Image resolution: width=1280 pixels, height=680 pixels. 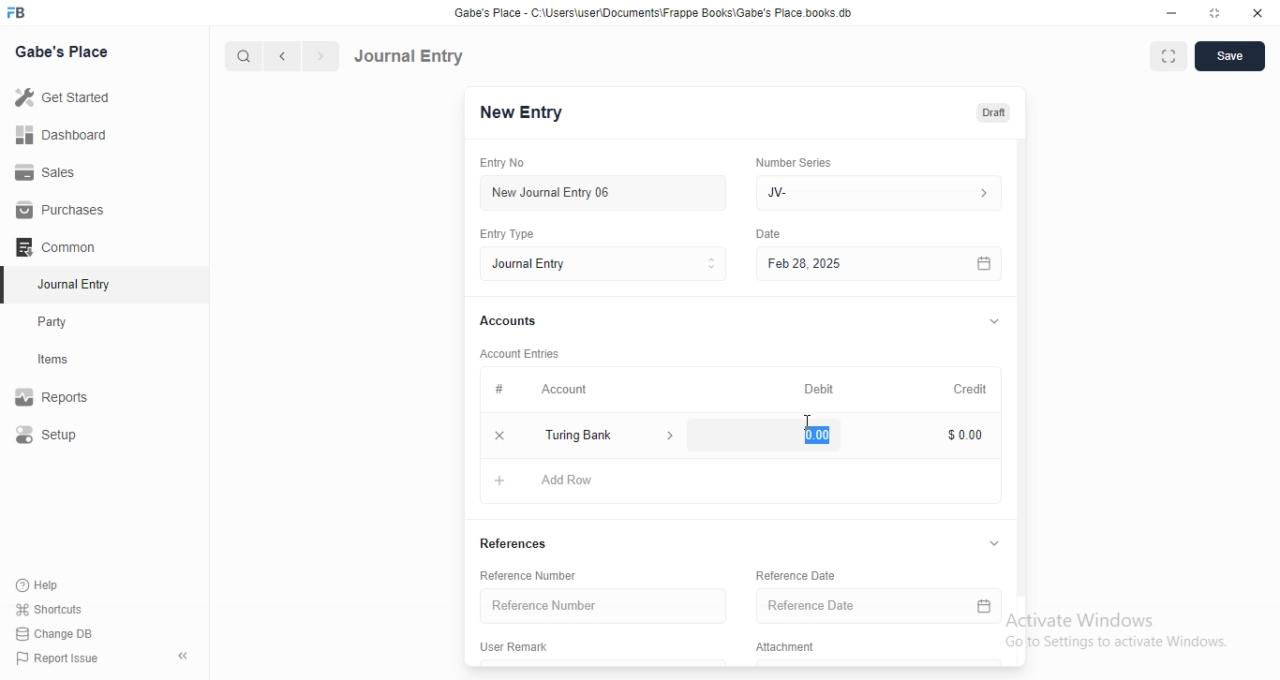 What do you see at coordinates (318, 57) in the screenshot?
I see `next` at bounding box center [318, 57].